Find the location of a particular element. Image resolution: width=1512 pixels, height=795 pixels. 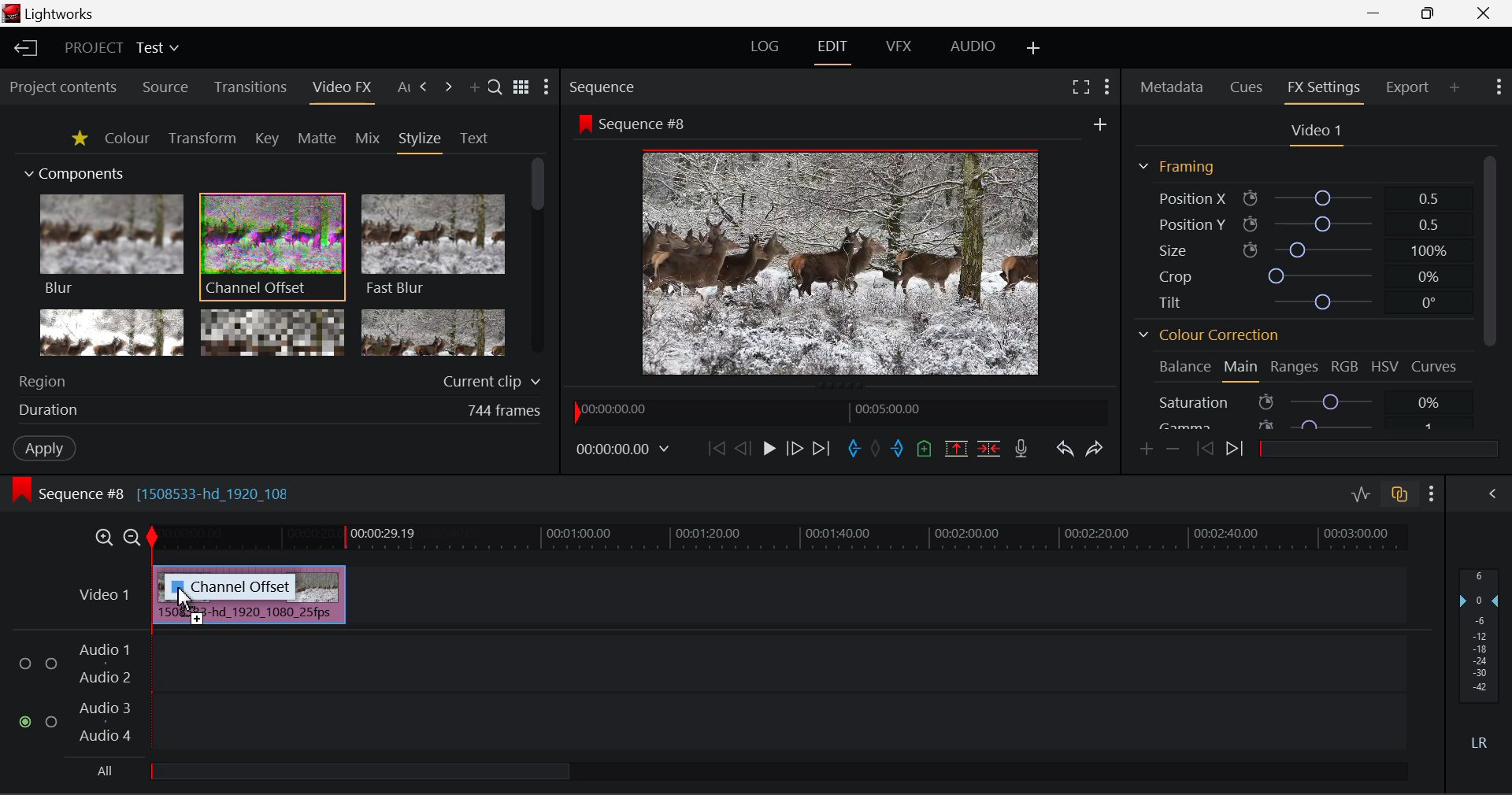

To End is located at coordinates (825, 449).